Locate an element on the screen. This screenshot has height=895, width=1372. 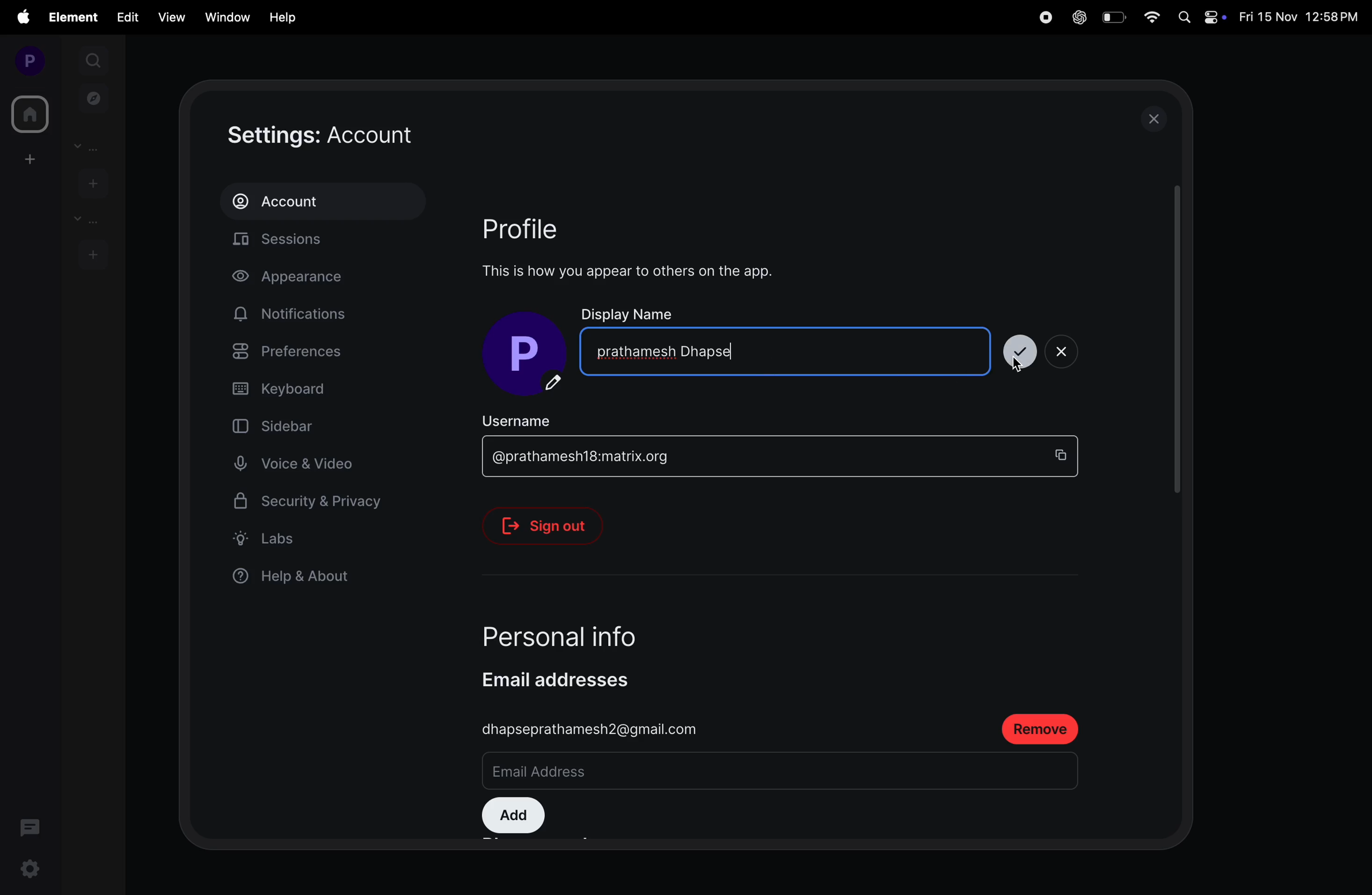
wifi is located at coordinates (1153, 18).